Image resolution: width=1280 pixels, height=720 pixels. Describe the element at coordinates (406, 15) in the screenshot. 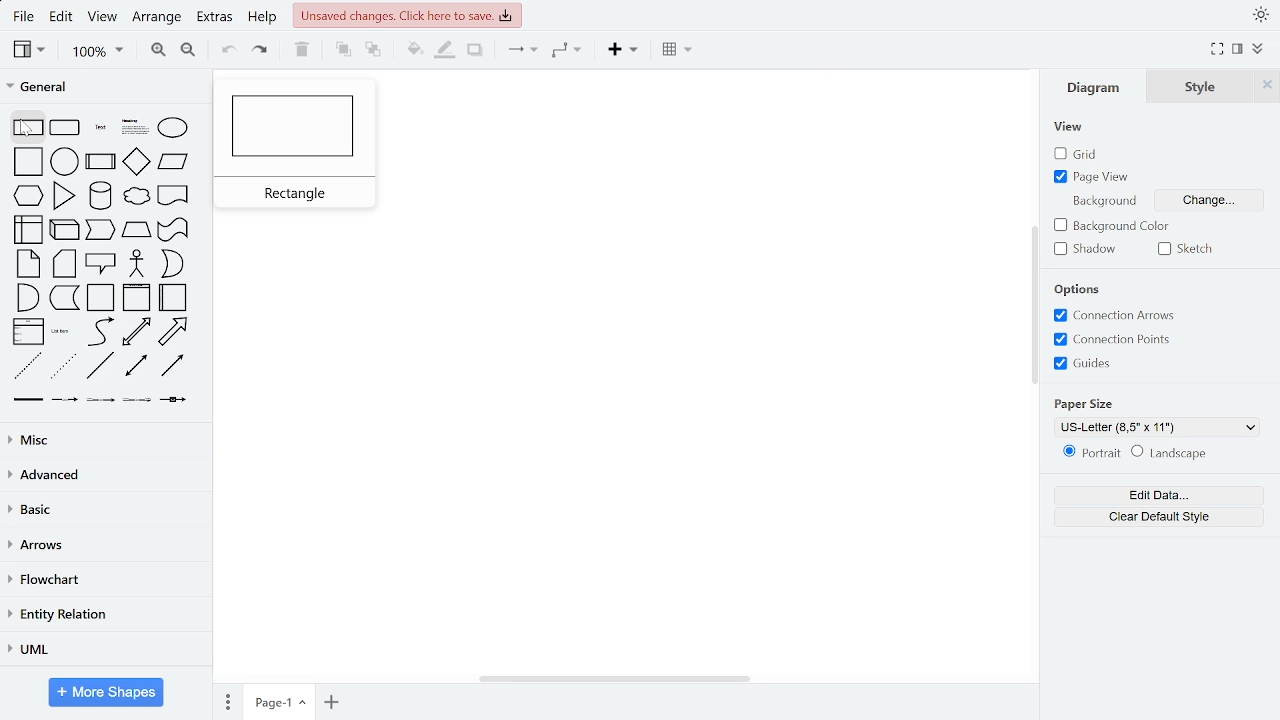

I see `unsaved changes. Click here to save` at that location.